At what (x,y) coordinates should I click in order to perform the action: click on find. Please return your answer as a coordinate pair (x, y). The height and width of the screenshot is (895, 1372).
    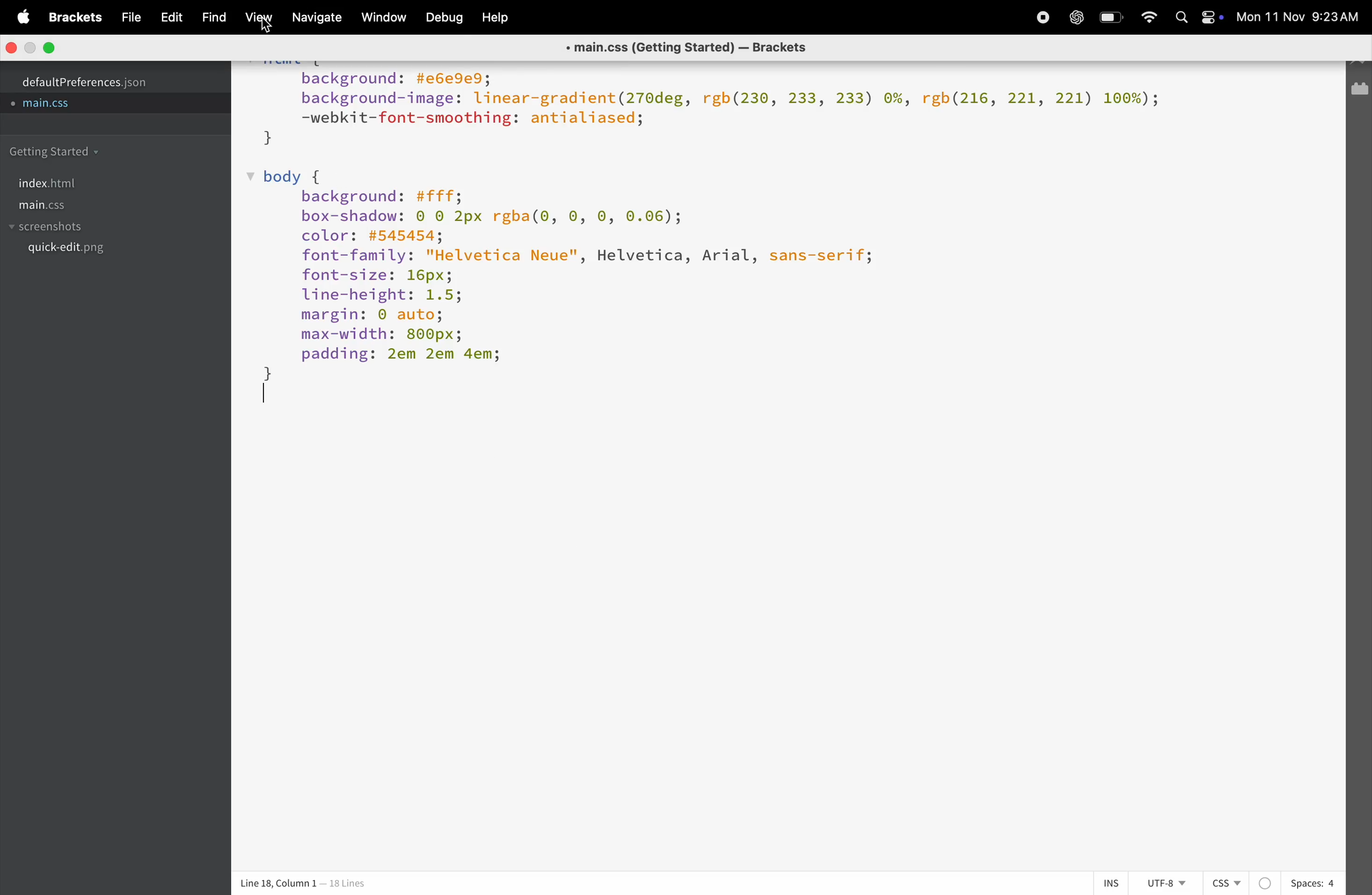
    Looking at the image, I should click on (211, 18).